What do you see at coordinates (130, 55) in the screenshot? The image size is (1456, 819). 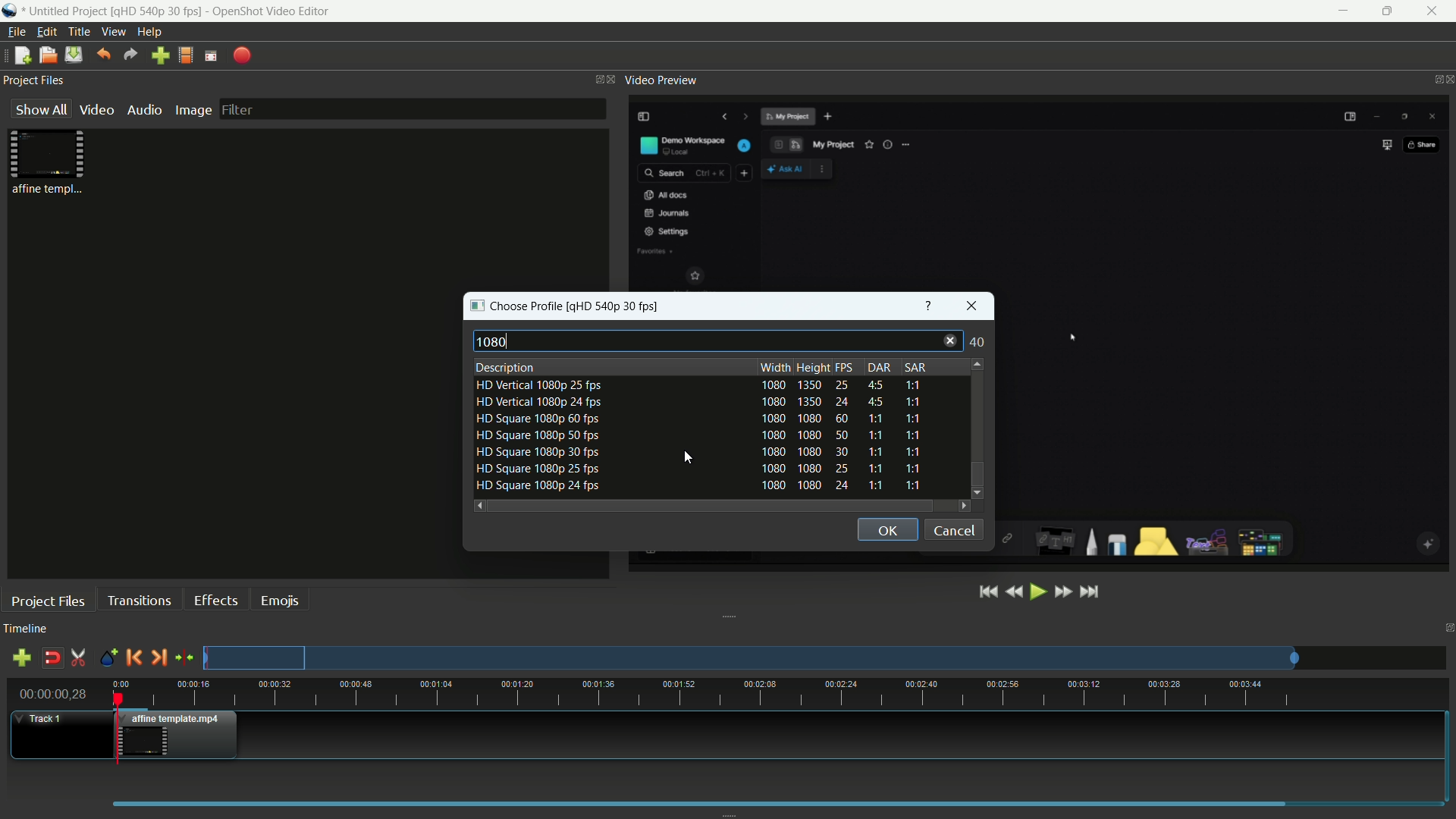 I see `redo` at bounding box center [130, 55].